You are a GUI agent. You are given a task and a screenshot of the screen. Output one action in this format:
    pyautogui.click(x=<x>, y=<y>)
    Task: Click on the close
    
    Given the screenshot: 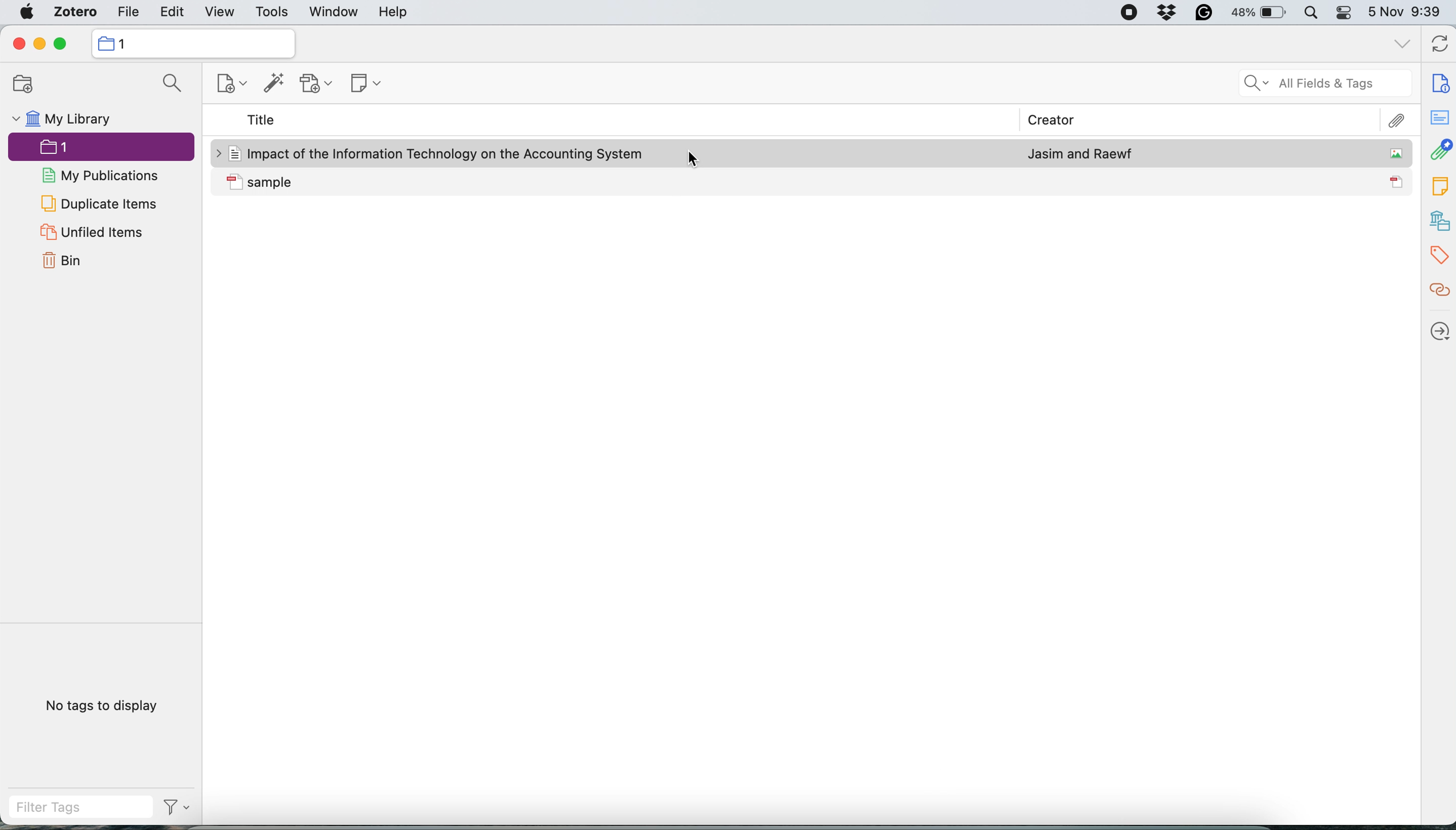 What is the action you would take?
    pyautogui.click(x=18, y=46)
    